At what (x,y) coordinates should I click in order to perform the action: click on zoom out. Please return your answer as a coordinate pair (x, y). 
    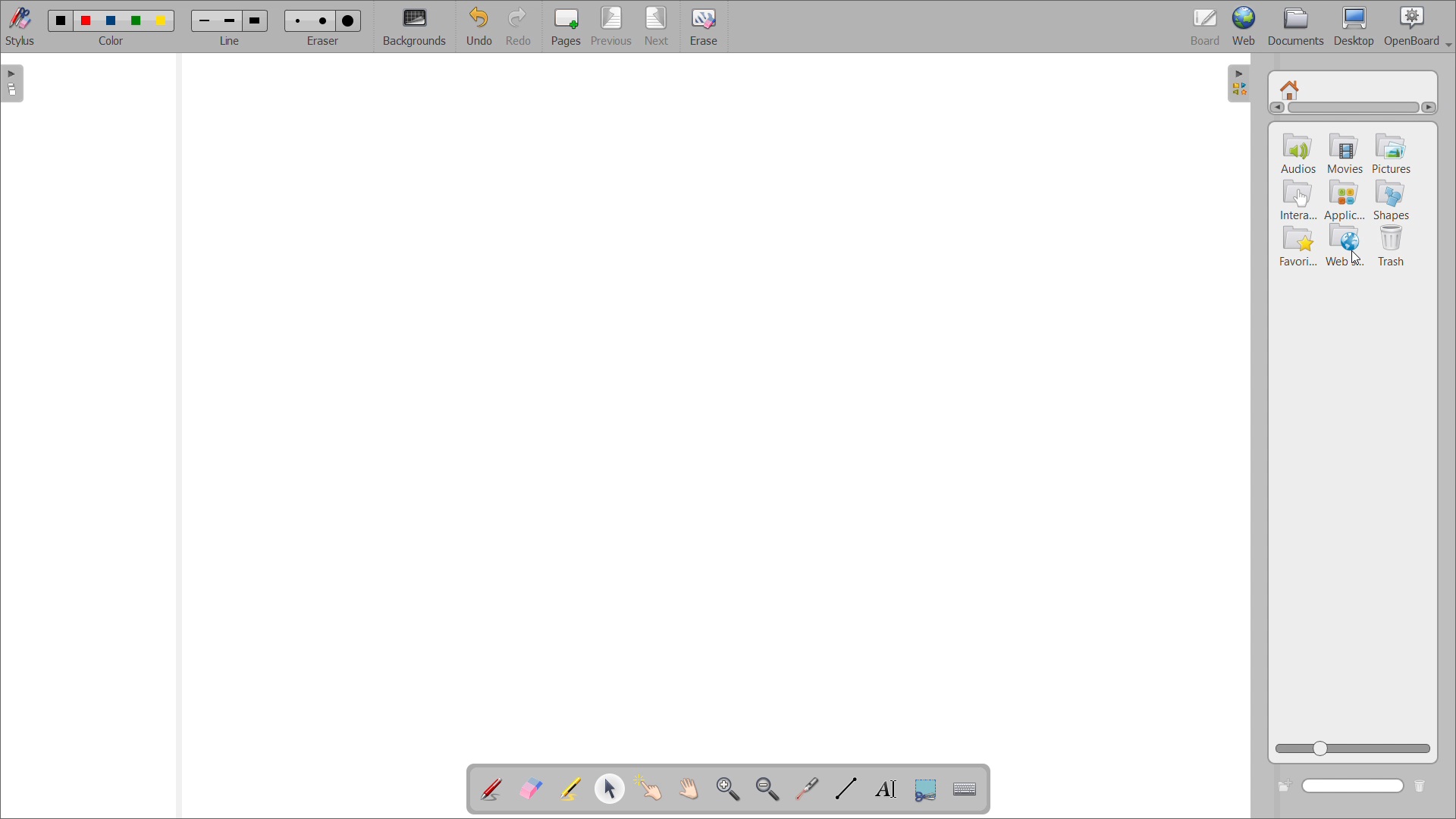
    Looking at the image, I should click on (768, 789).